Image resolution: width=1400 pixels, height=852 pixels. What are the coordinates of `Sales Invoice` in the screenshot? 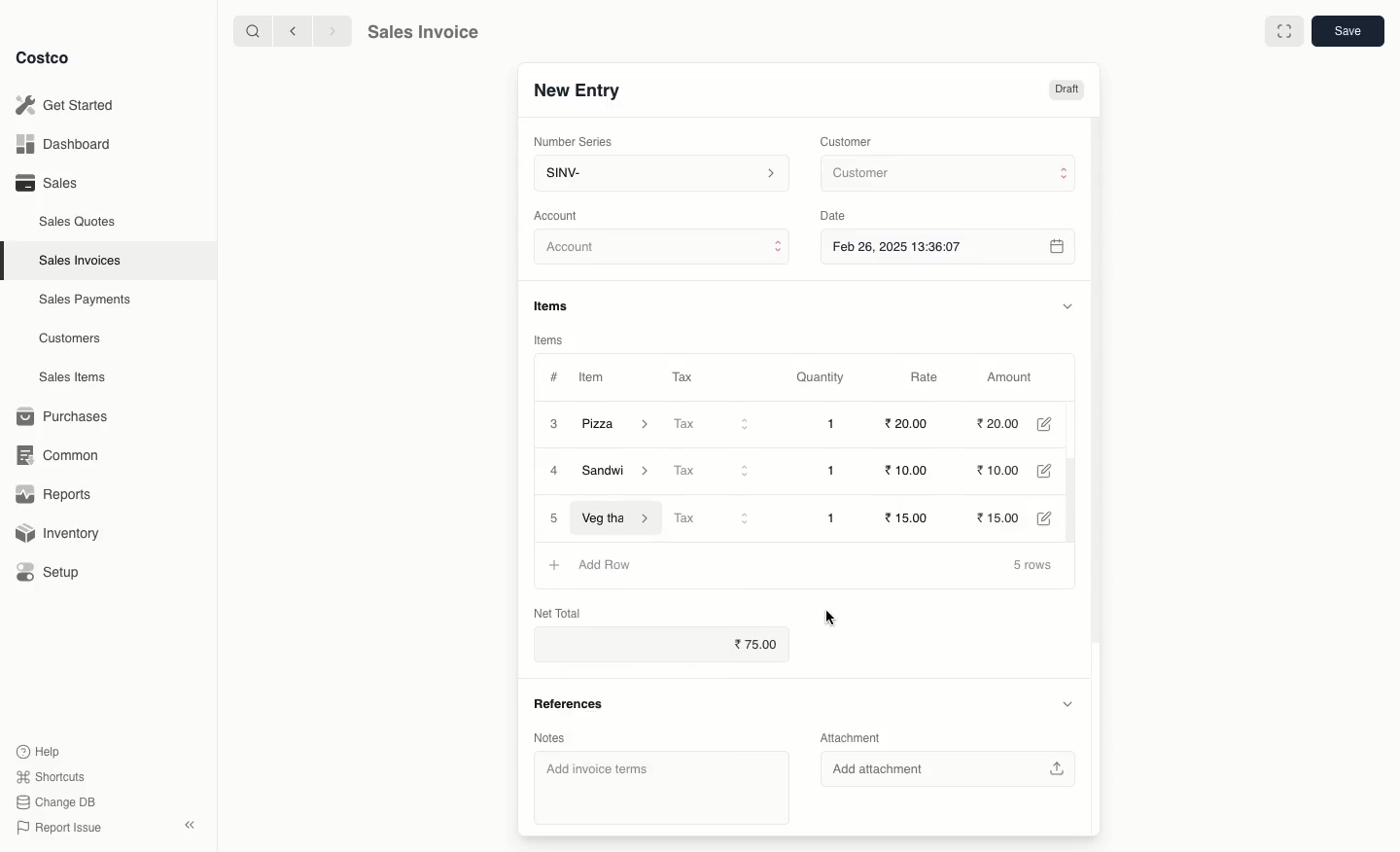 It's located at (423, 34).